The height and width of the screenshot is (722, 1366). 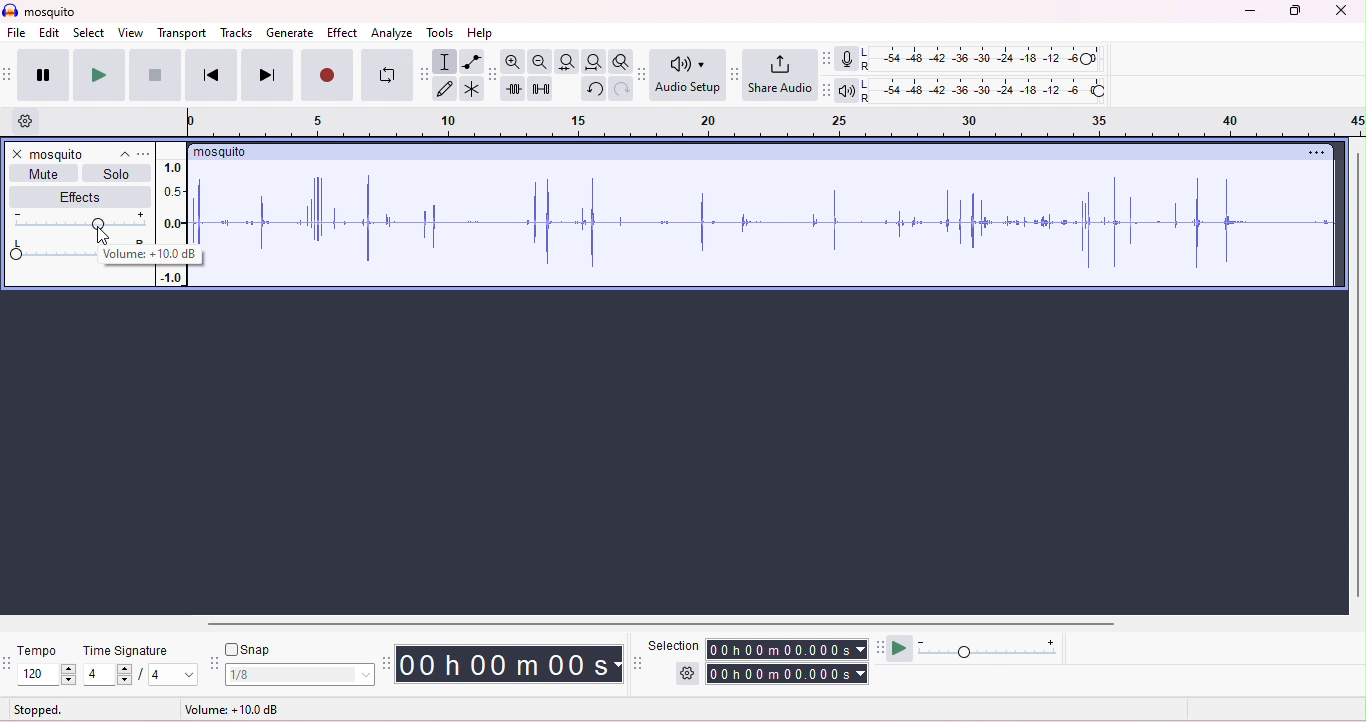 What do you see at coordinates (1316, 153) in the screenshot?
I see `options` at bounding box center [1316, 153].